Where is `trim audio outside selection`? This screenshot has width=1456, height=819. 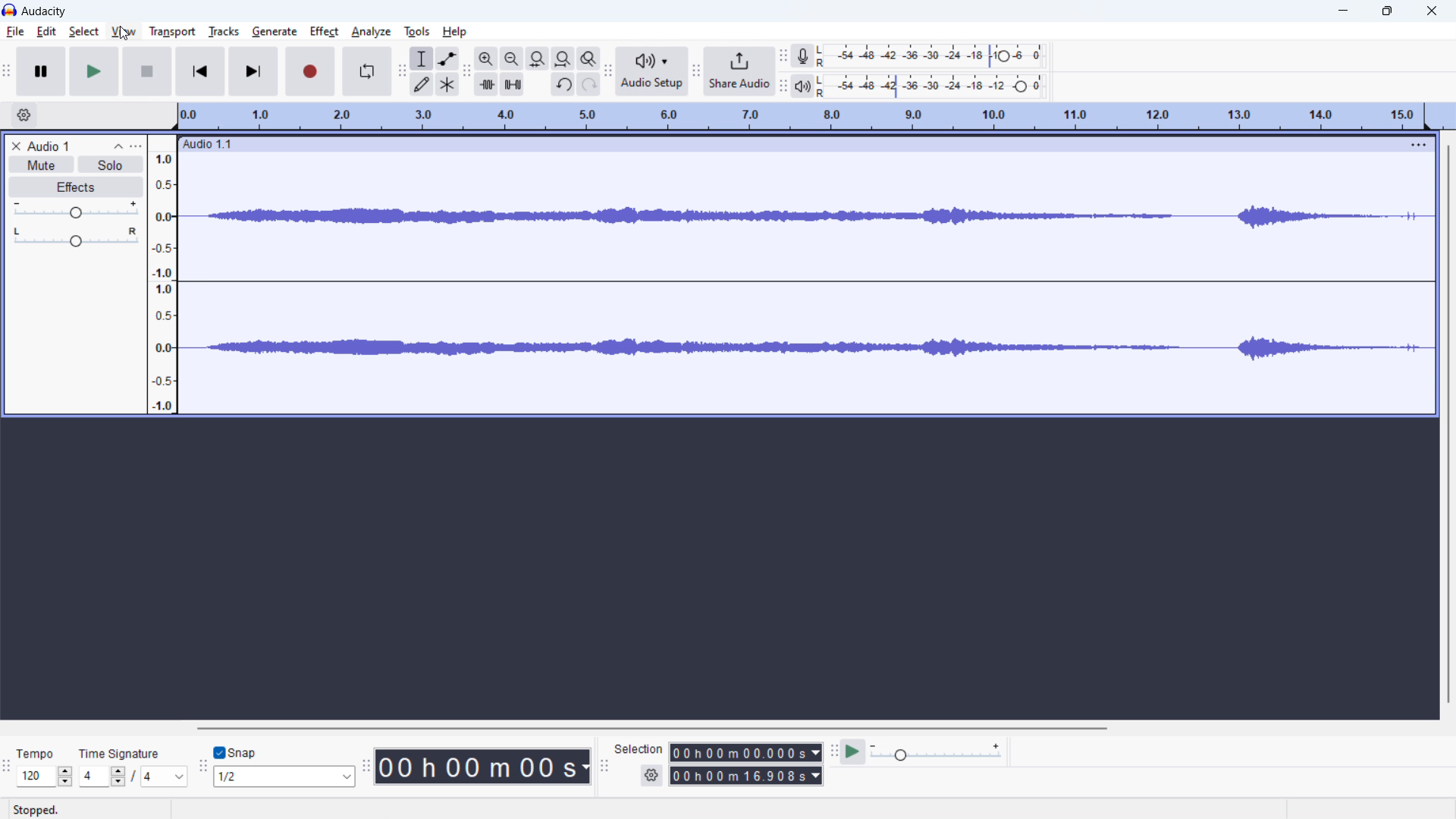 trim audio outside selection is located at coordinates (486, 84).